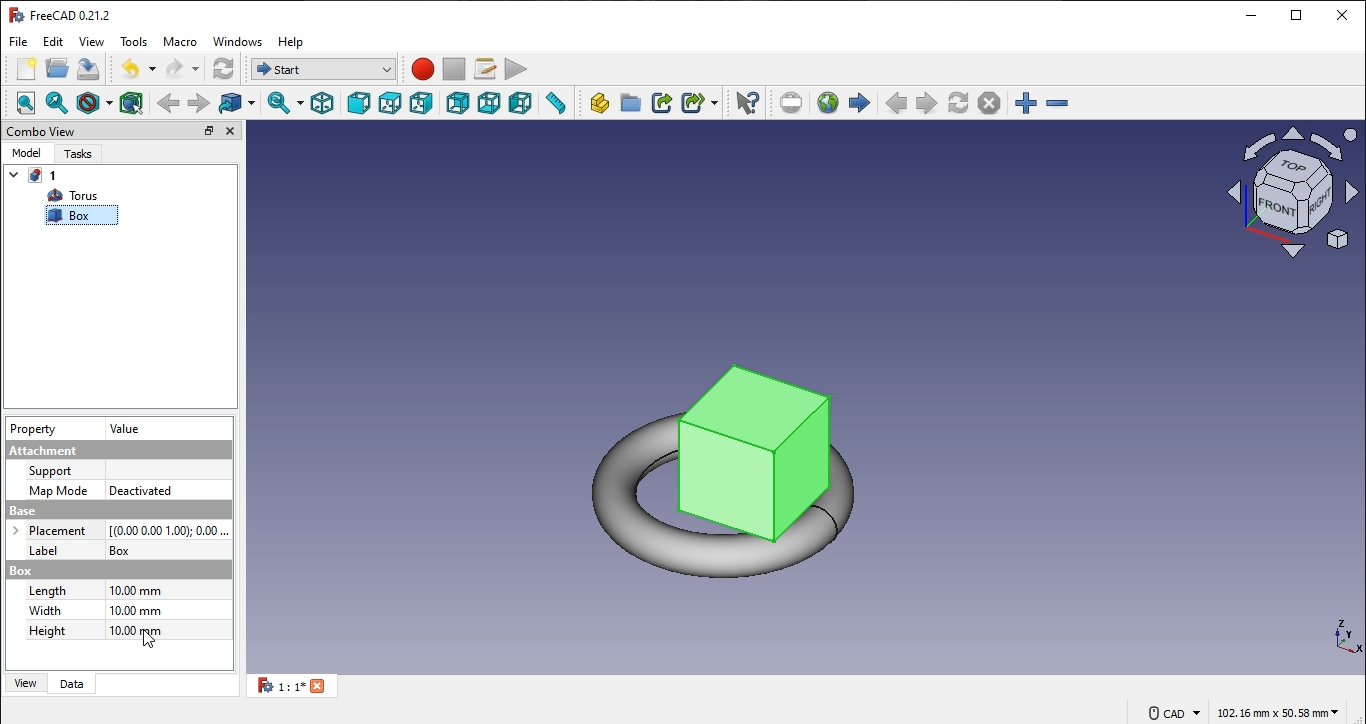  I want to click on make sublink, so click(696, 102).